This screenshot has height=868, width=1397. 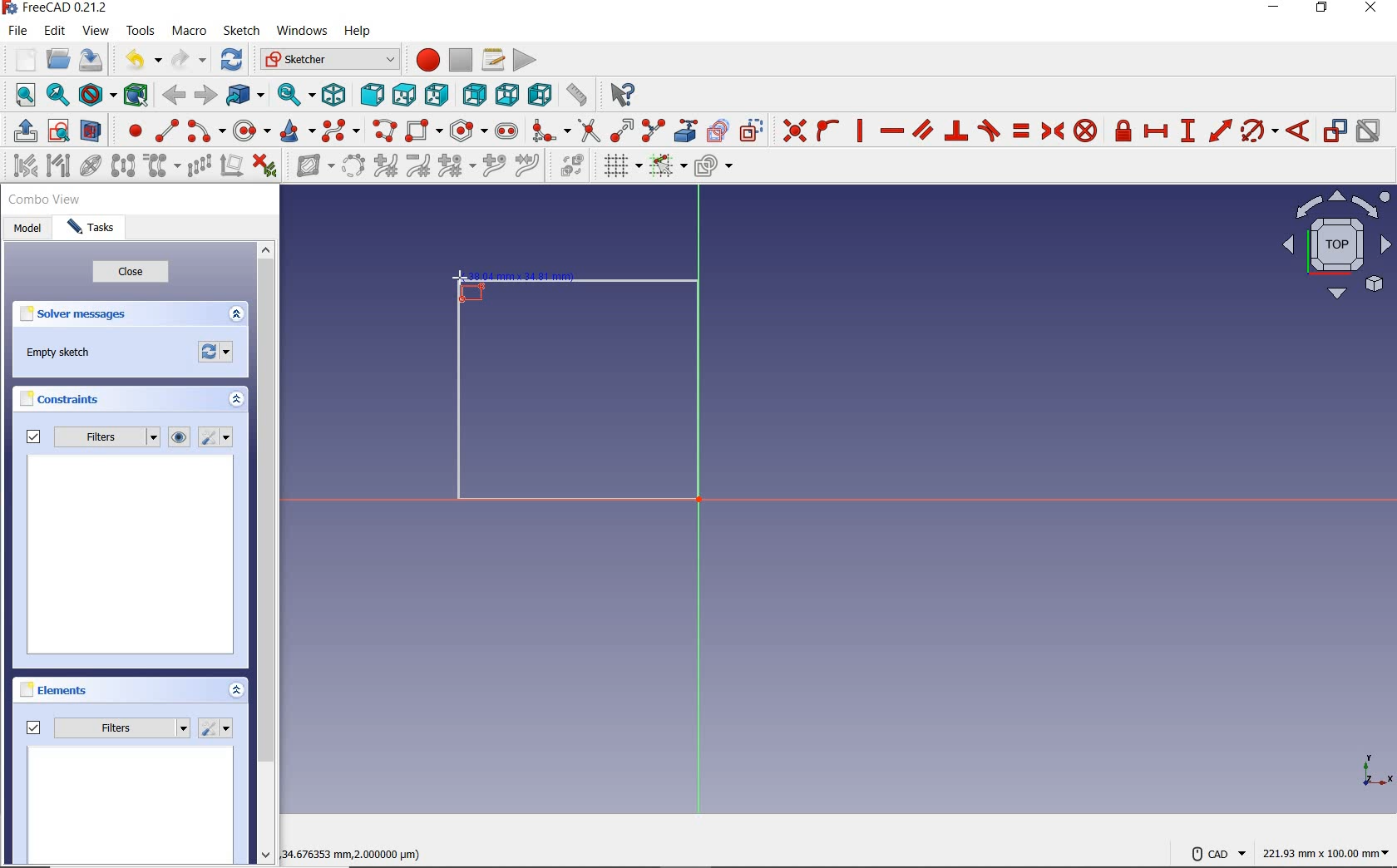 What do you see at coordinates (1299, 131) in the screenshot?
I see `constrain angle` at bounding box center [1299, 131].